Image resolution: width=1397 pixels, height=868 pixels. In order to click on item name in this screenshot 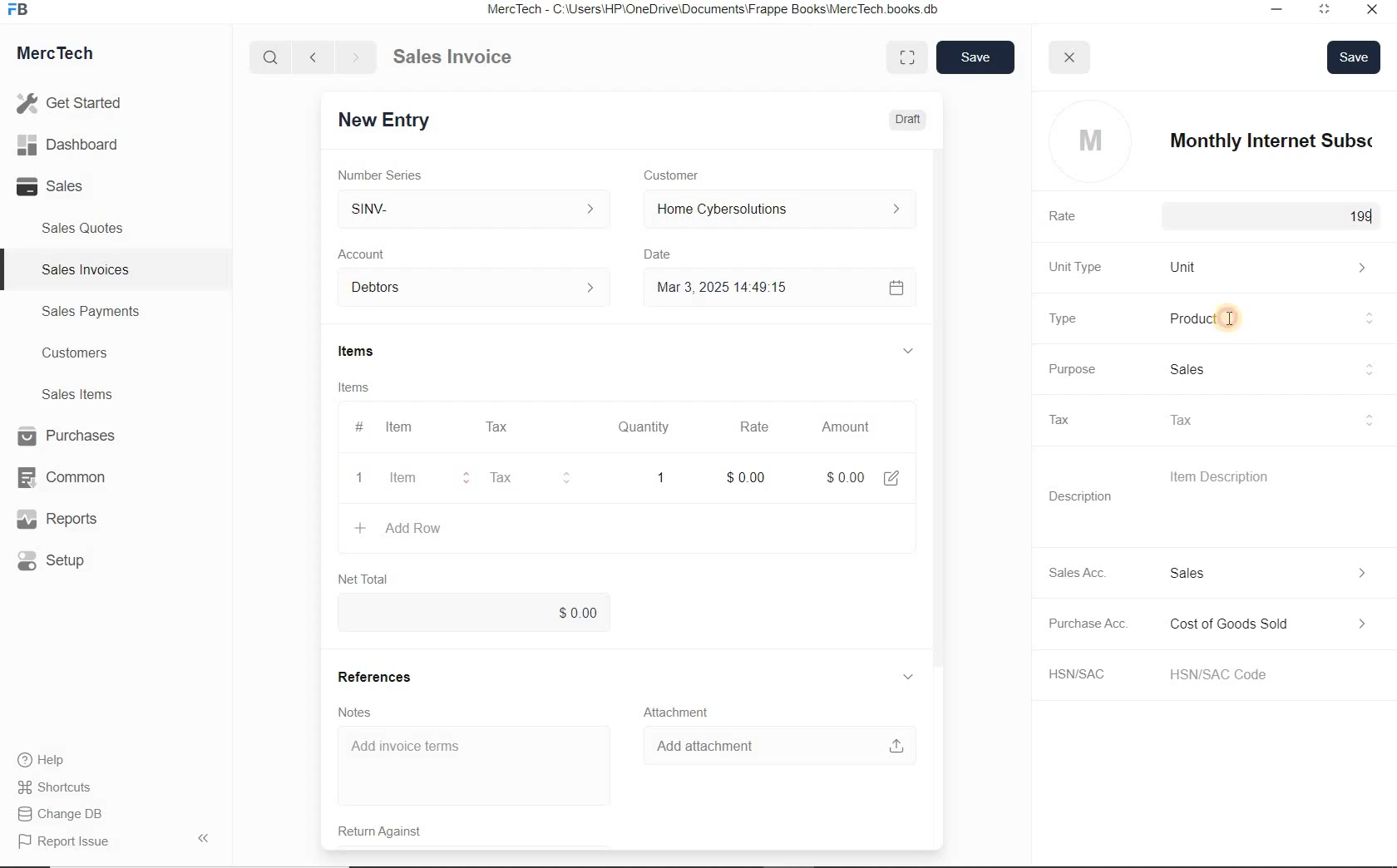, I will do `click(1274, 141)`.